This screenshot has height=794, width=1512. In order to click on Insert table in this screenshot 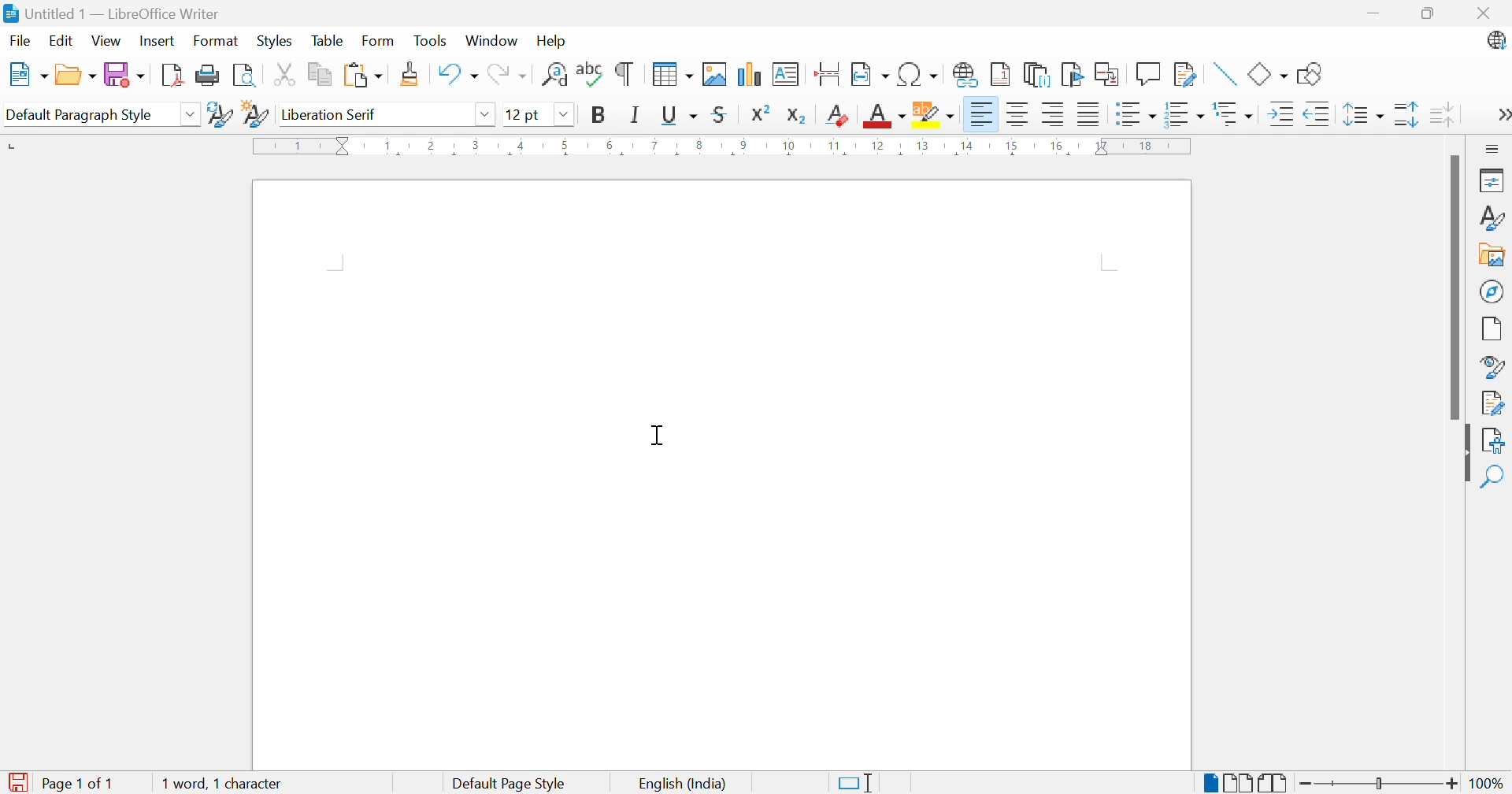, I will do `click(674, 73)`.